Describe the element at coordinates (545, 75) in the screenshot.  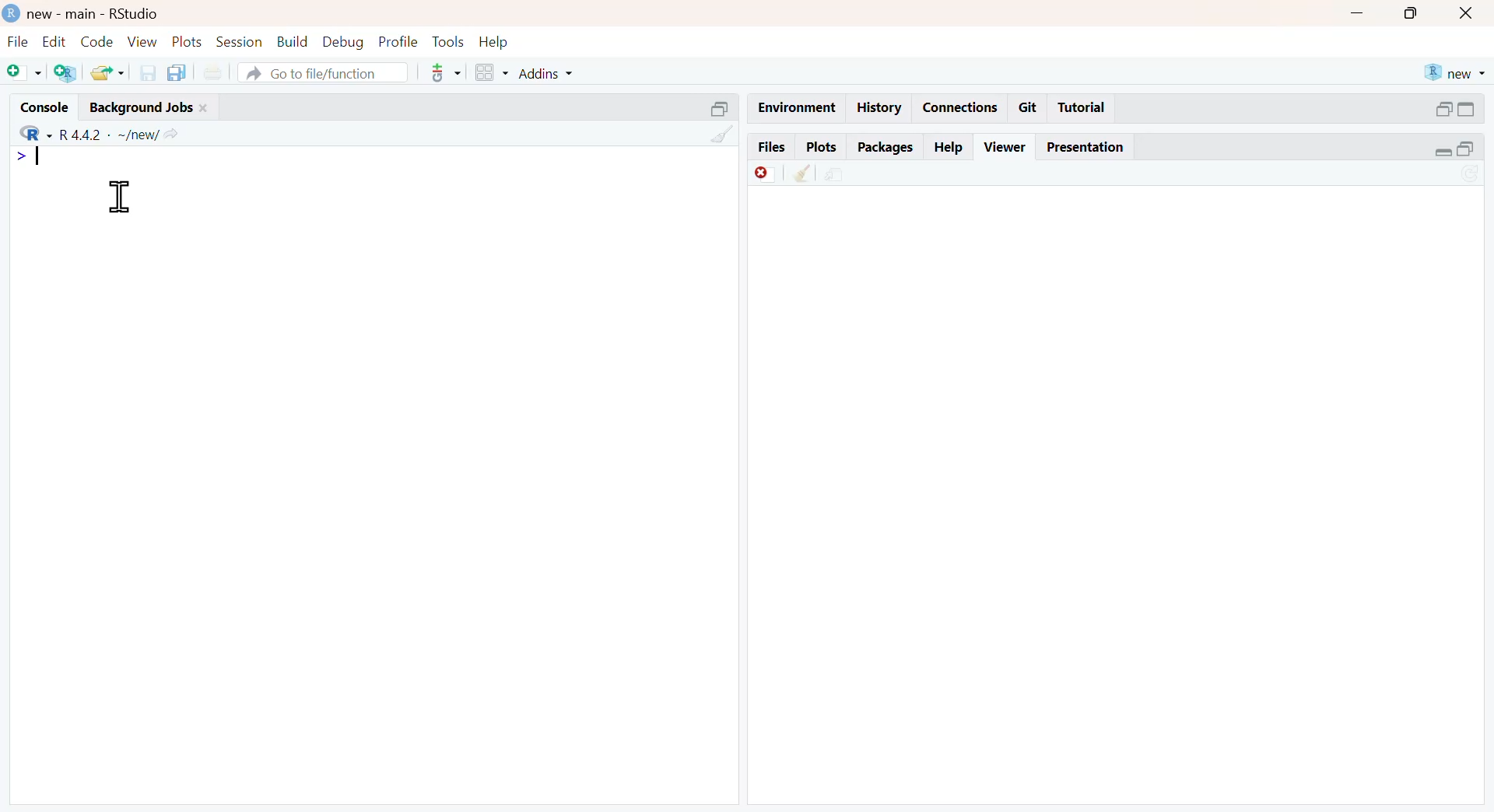
I see `addins` at that location.